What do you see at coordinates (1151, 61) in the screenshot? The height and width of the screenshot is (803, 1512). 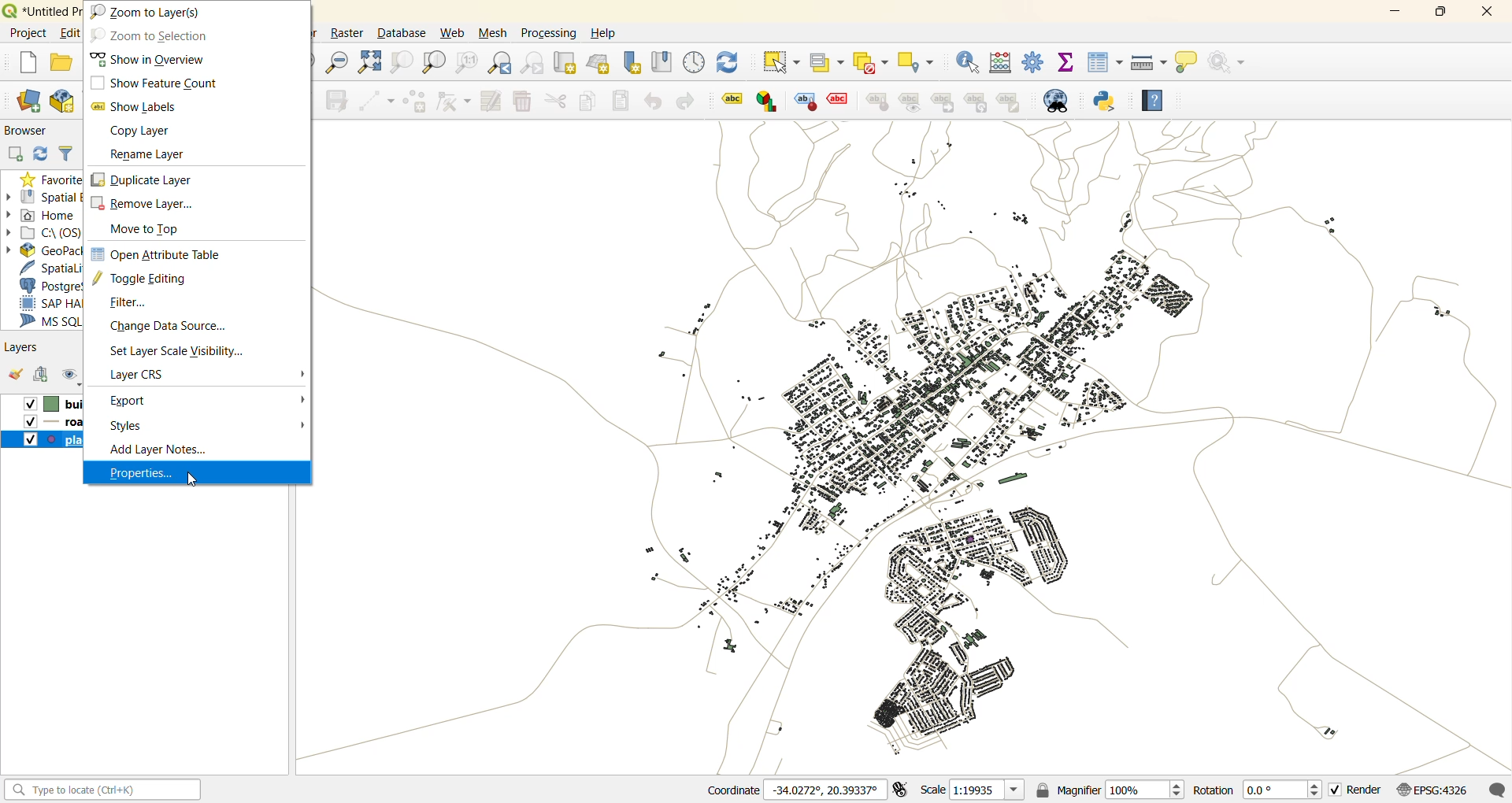 I see `measure line` at bounding box center [1151, 61].